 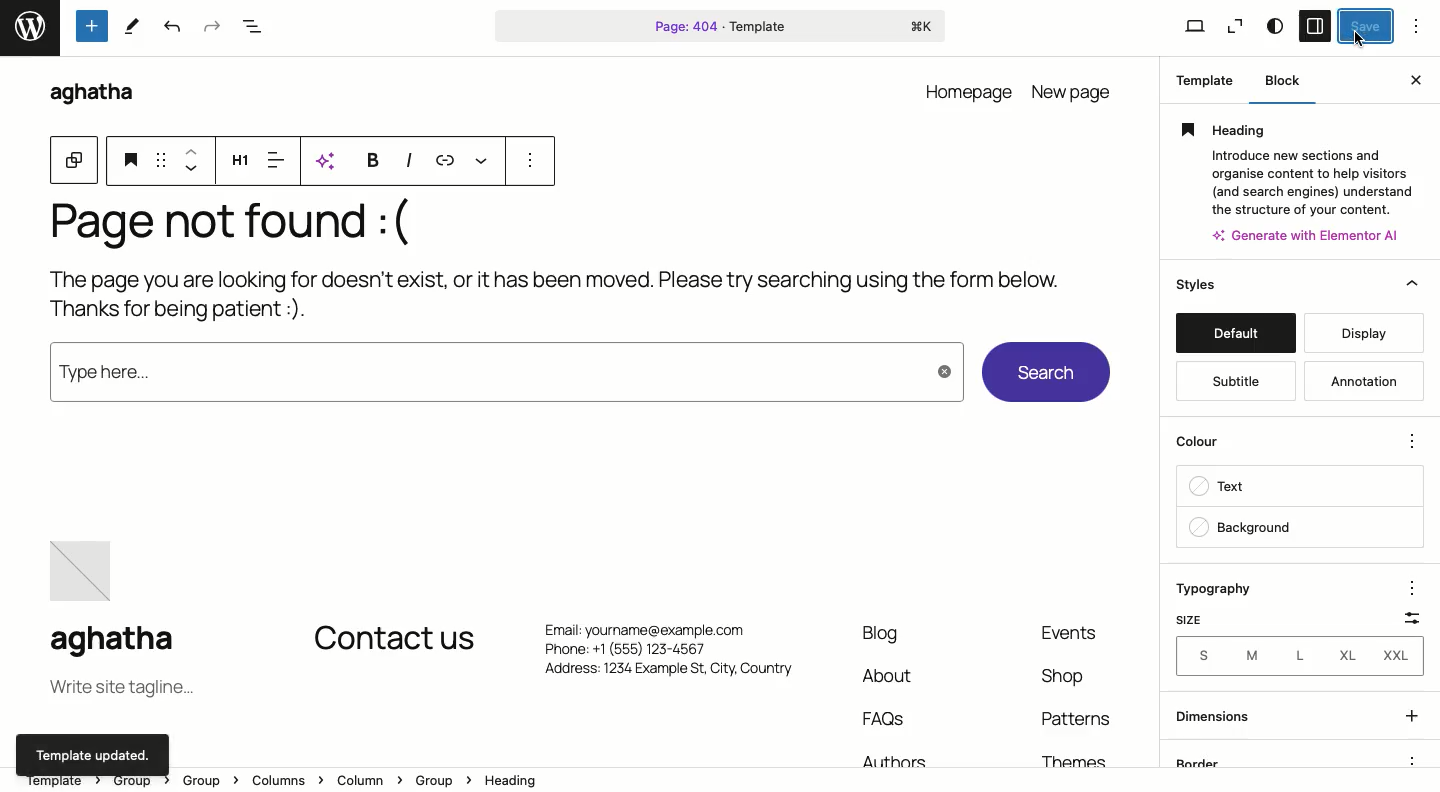 I want to click on Zoom out, so click(x=1237, y=25).